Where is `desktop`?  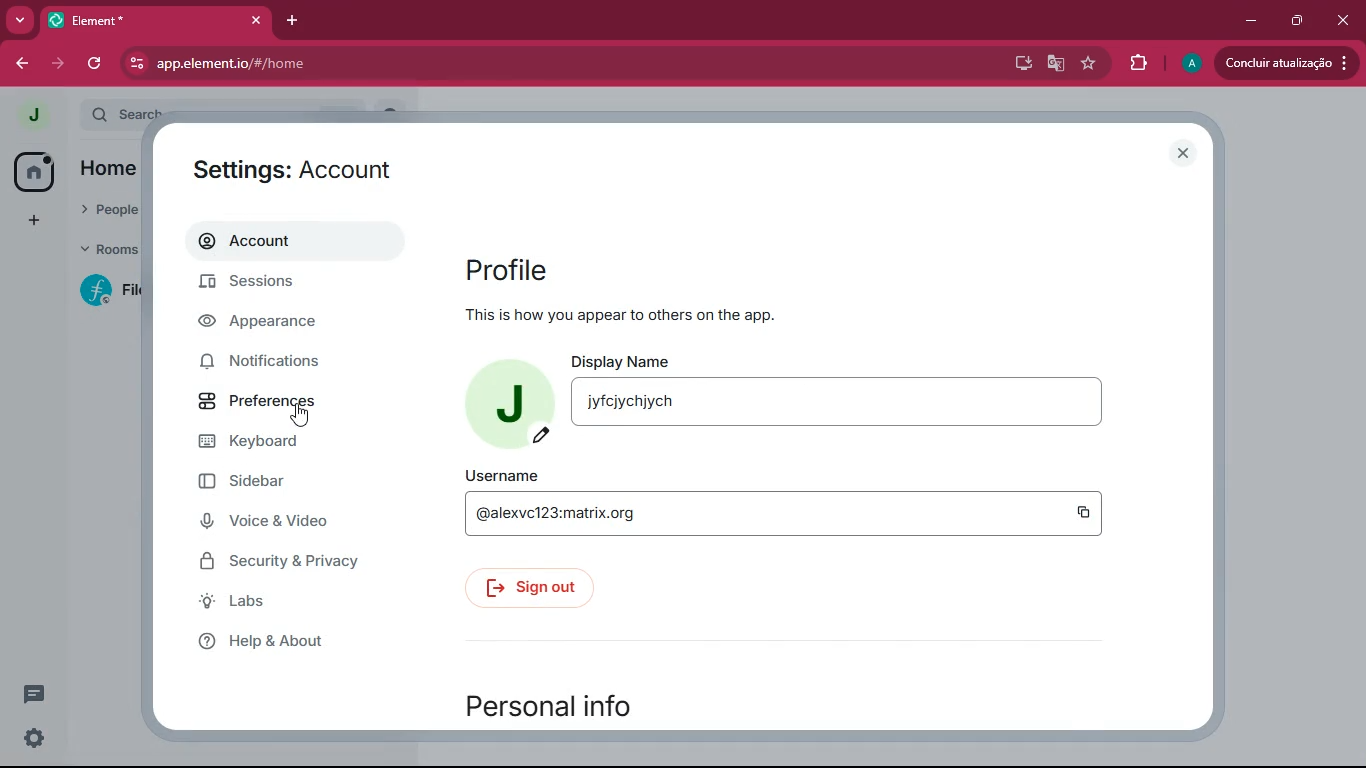 desktop is located at coordinates (1017, 64).